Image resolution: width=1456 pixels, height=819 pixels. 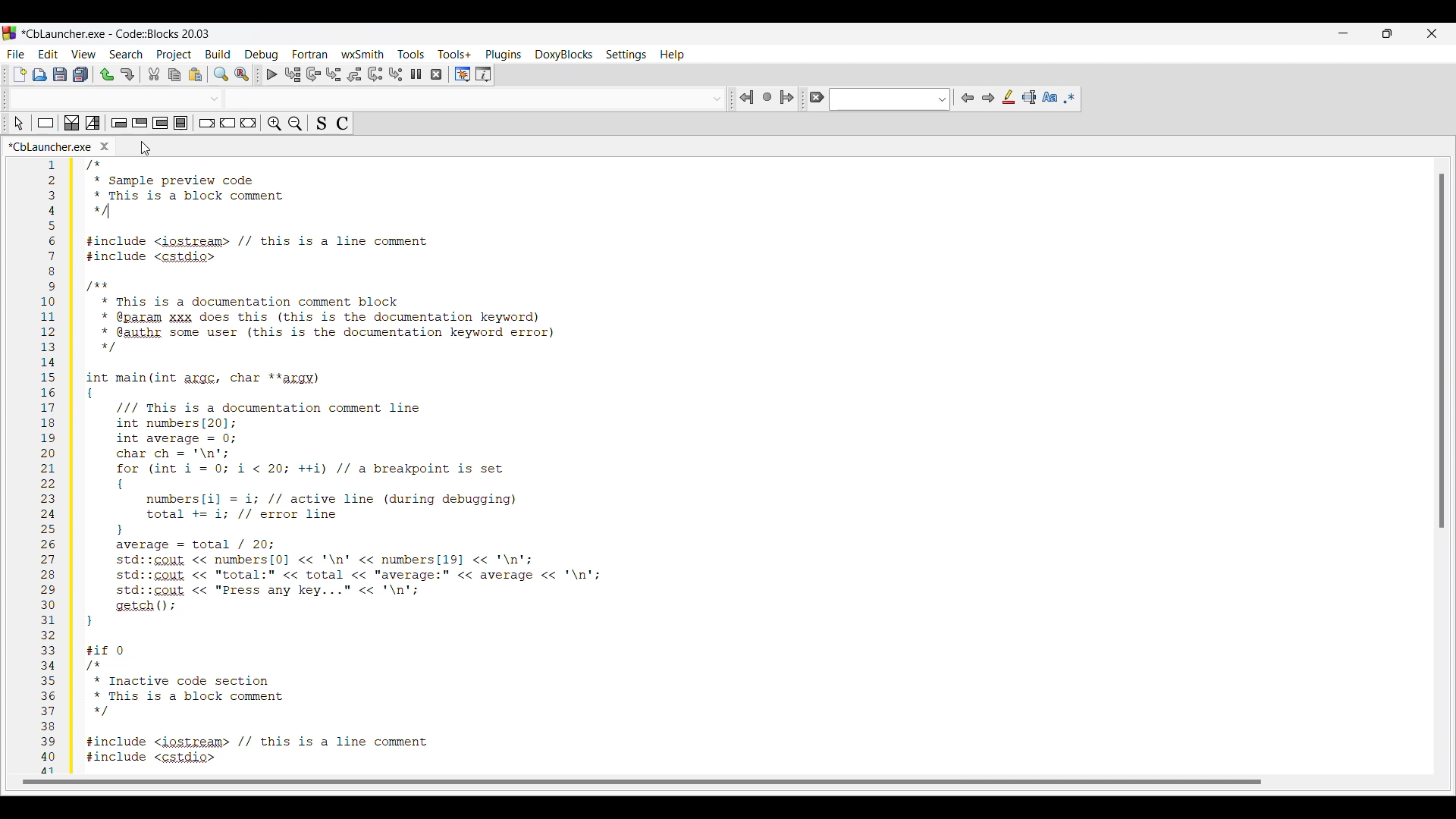 I want to click on Open, so click(x=39, y=74).